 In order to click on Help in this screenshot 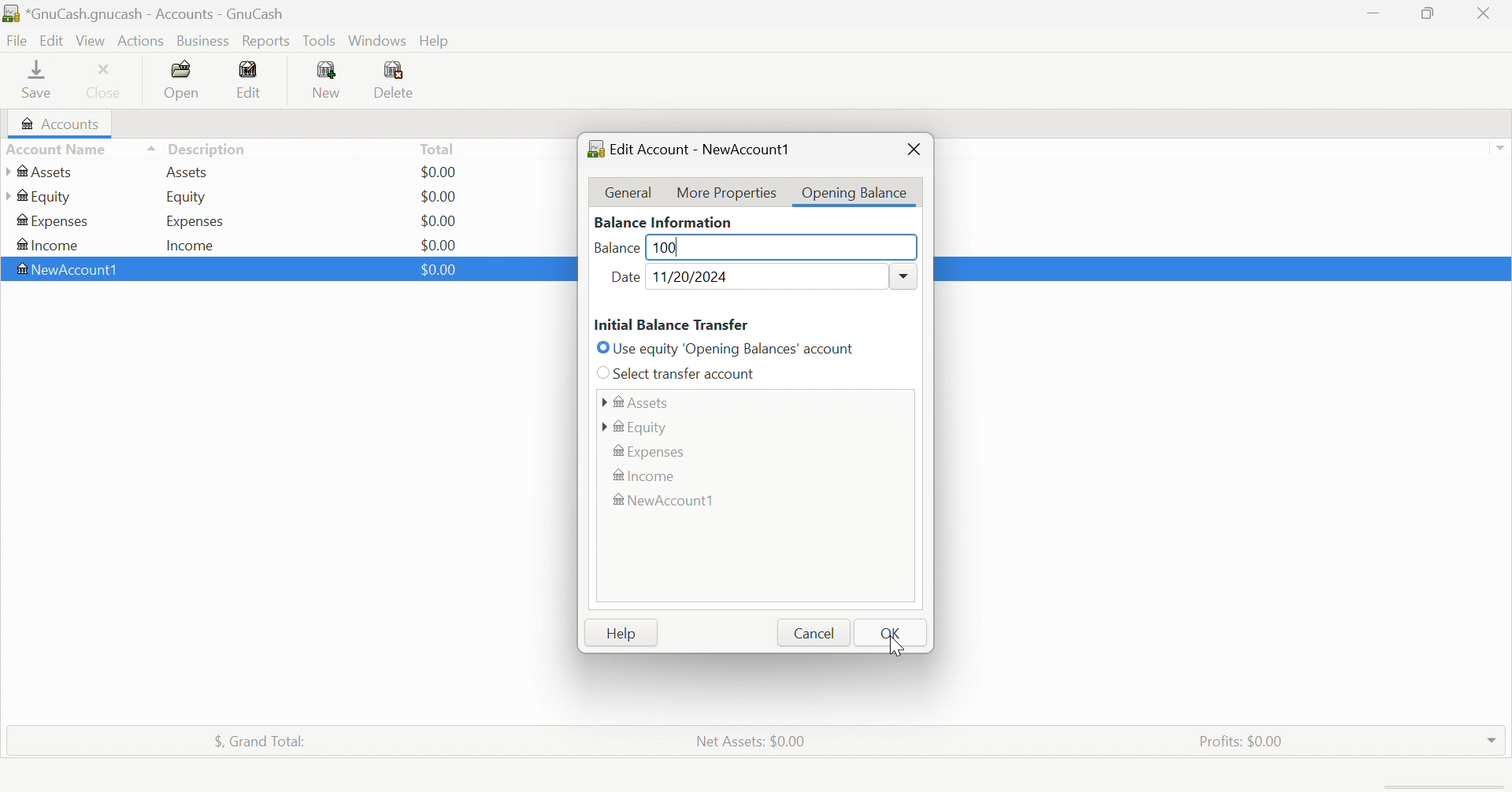, I will do `click(623, 635)`.